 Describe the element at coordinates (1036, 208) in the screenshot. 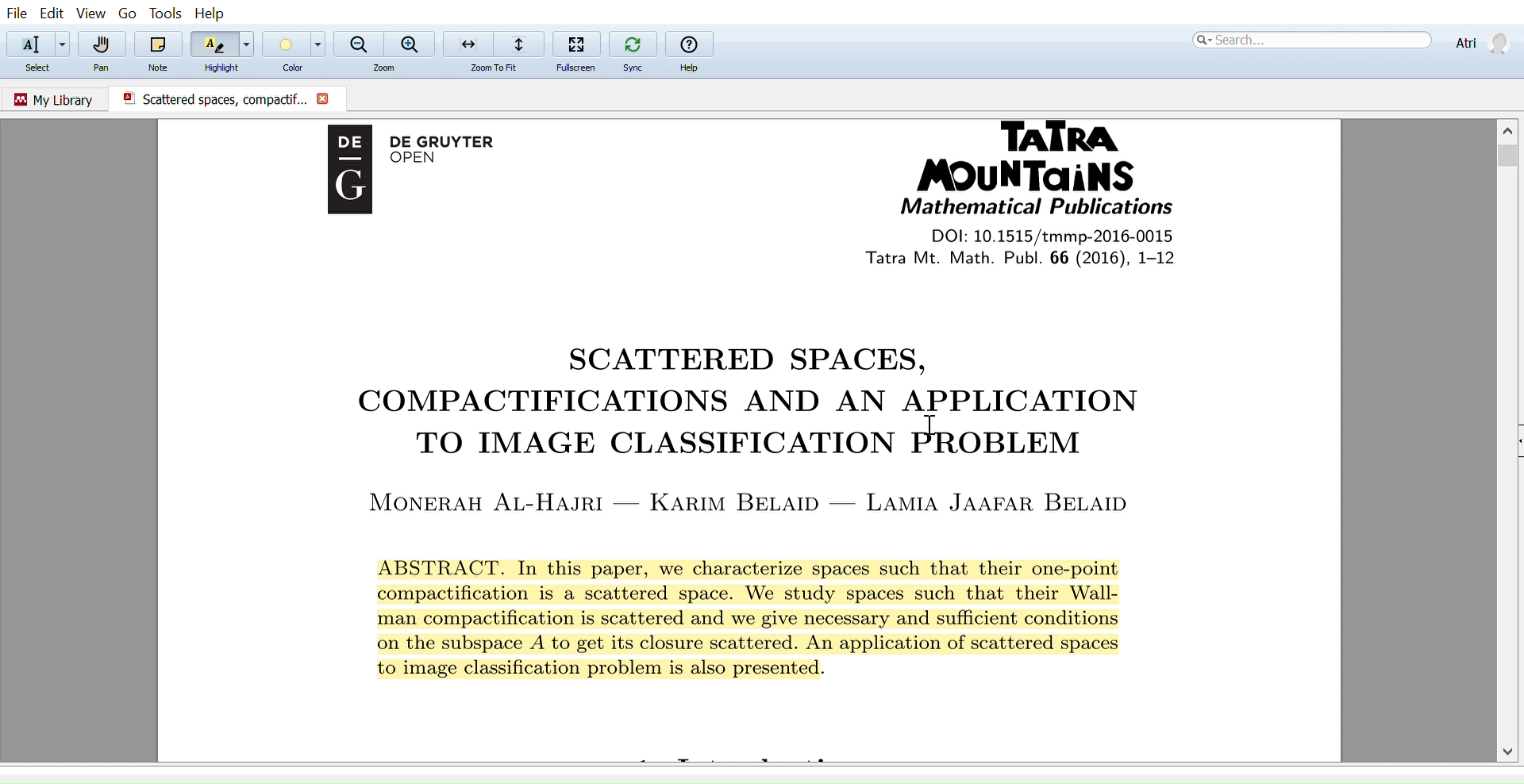

I see `Mathematical Publications` at that location.